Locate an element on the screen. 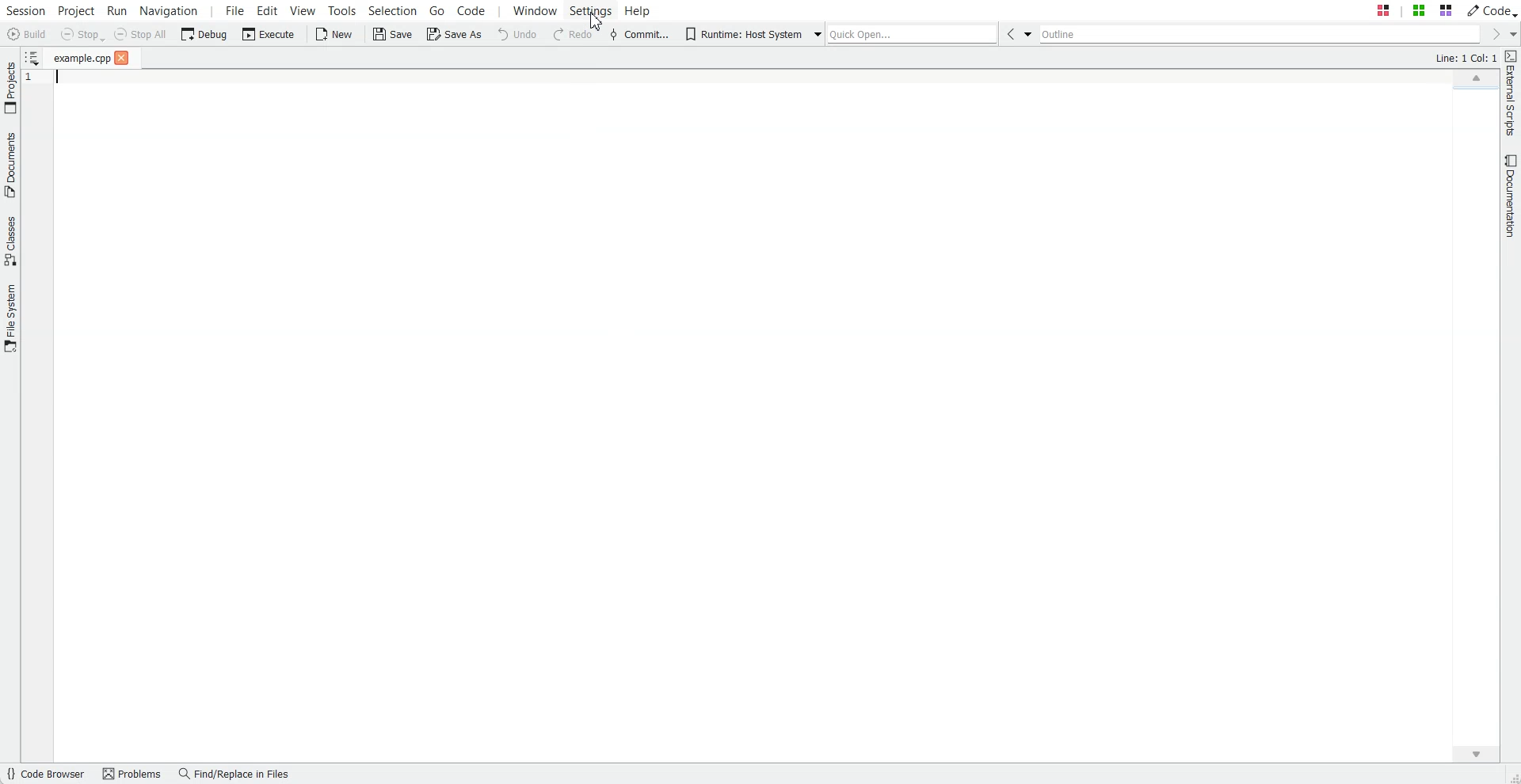 The width and height of the screenshot is (1521, 784). Execute is located at coordinates (269, 34).